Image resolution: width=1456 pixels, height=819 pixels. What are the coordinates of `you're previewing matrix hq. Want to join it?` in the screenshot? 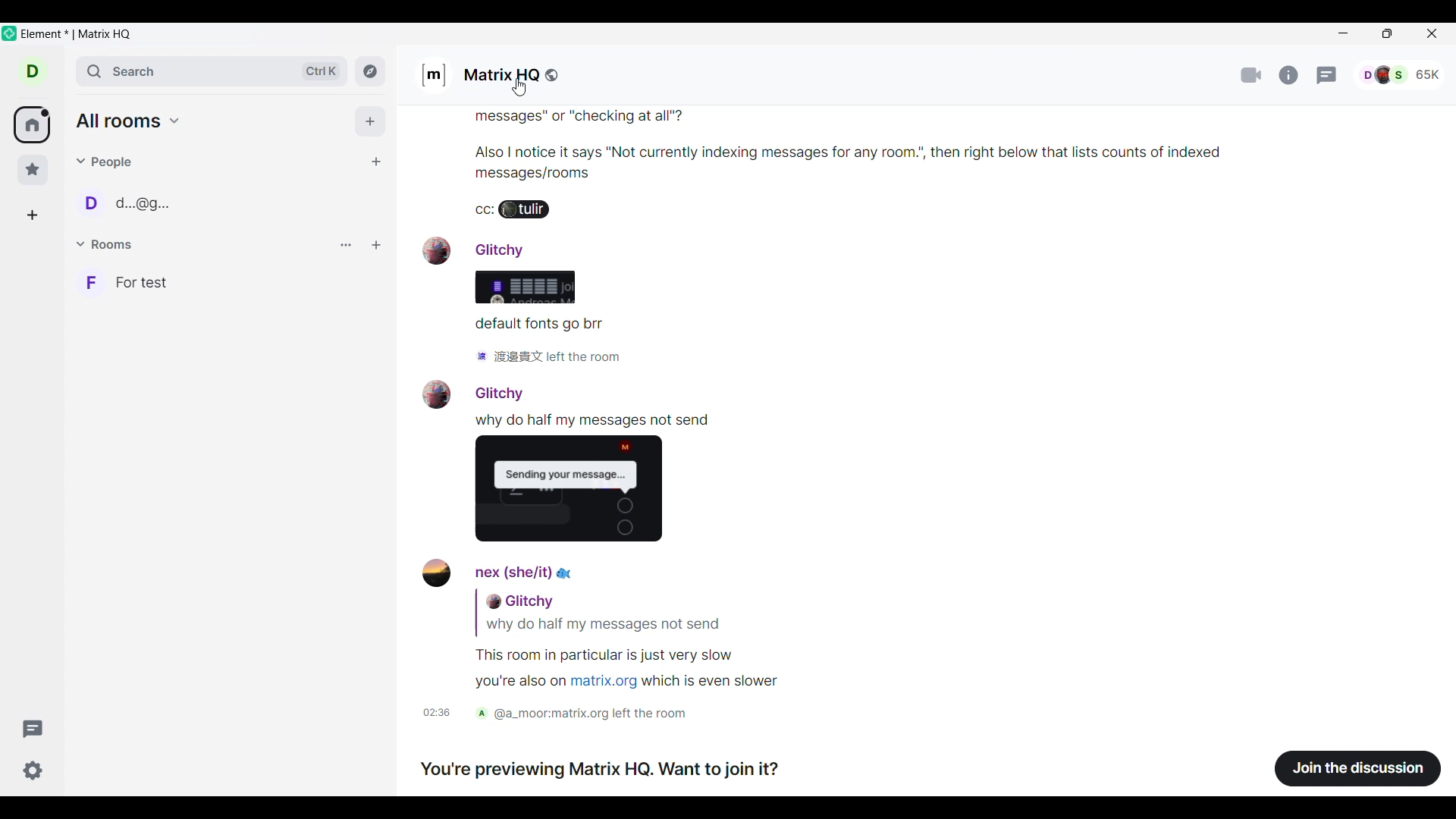 It's located at (606, 772).